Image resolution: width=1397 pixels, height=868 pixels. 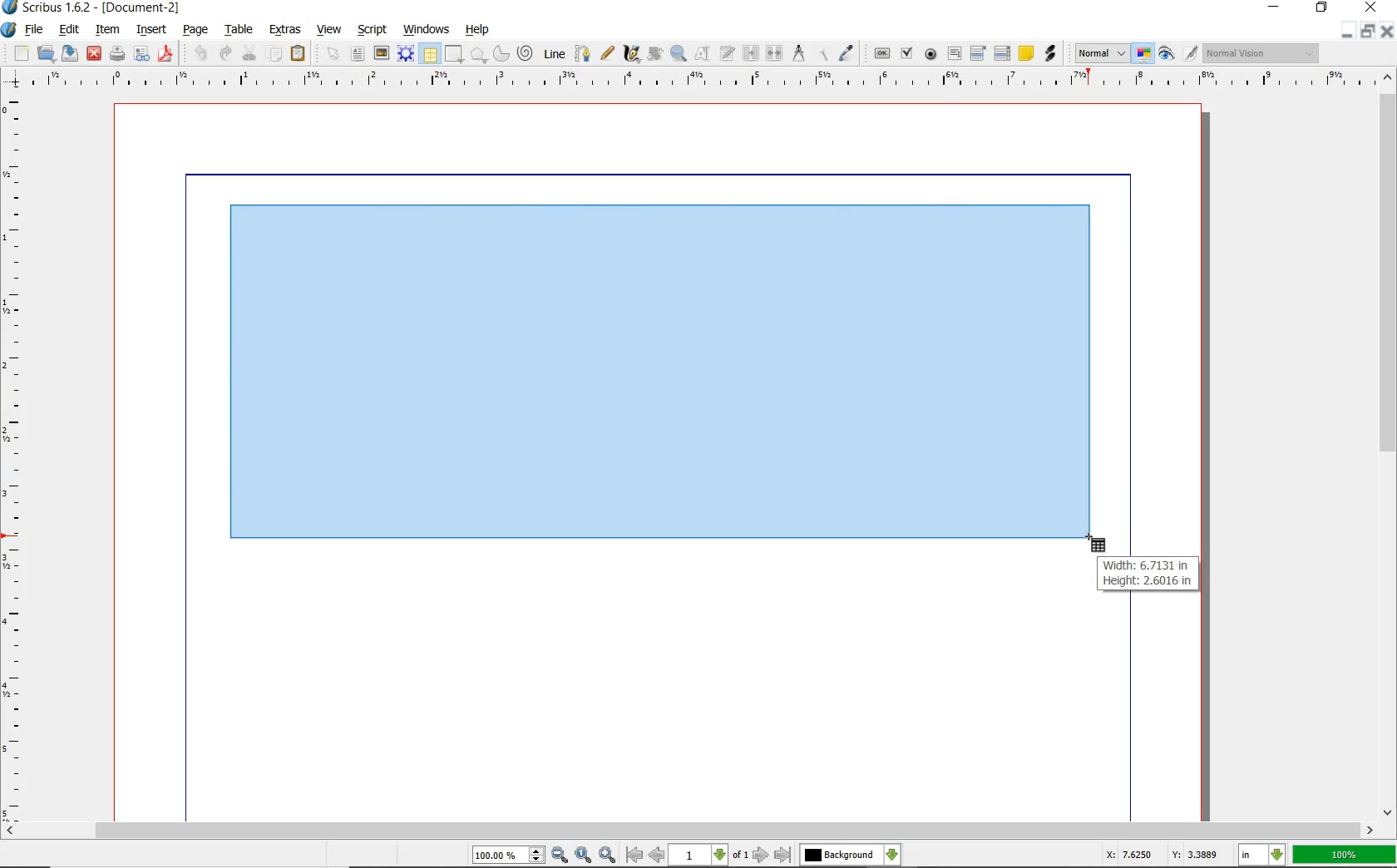 I want to click on close, so click(x=1370, y=8).